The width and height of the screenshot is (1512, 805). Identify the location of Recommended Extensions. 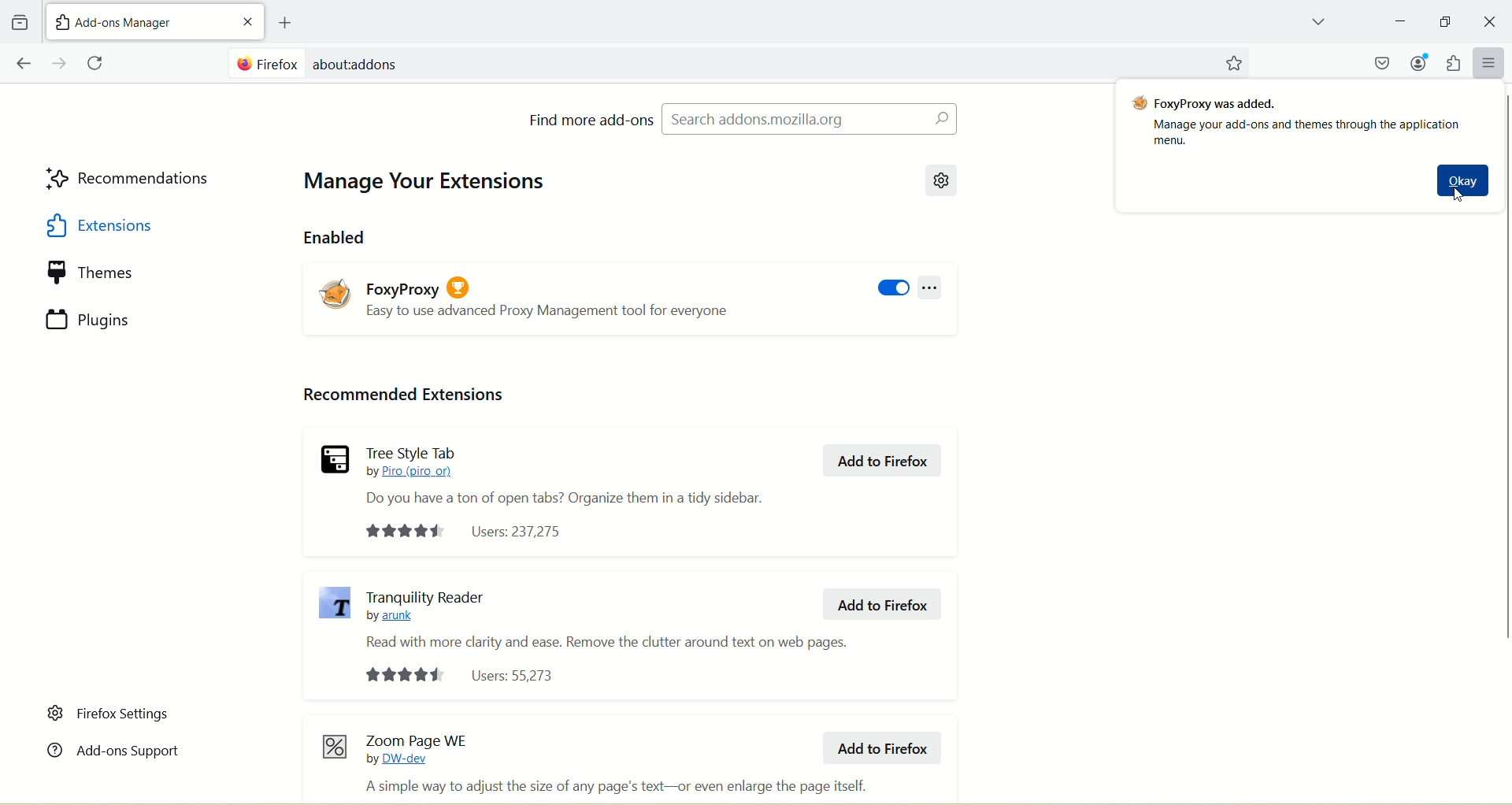
(402, 395).